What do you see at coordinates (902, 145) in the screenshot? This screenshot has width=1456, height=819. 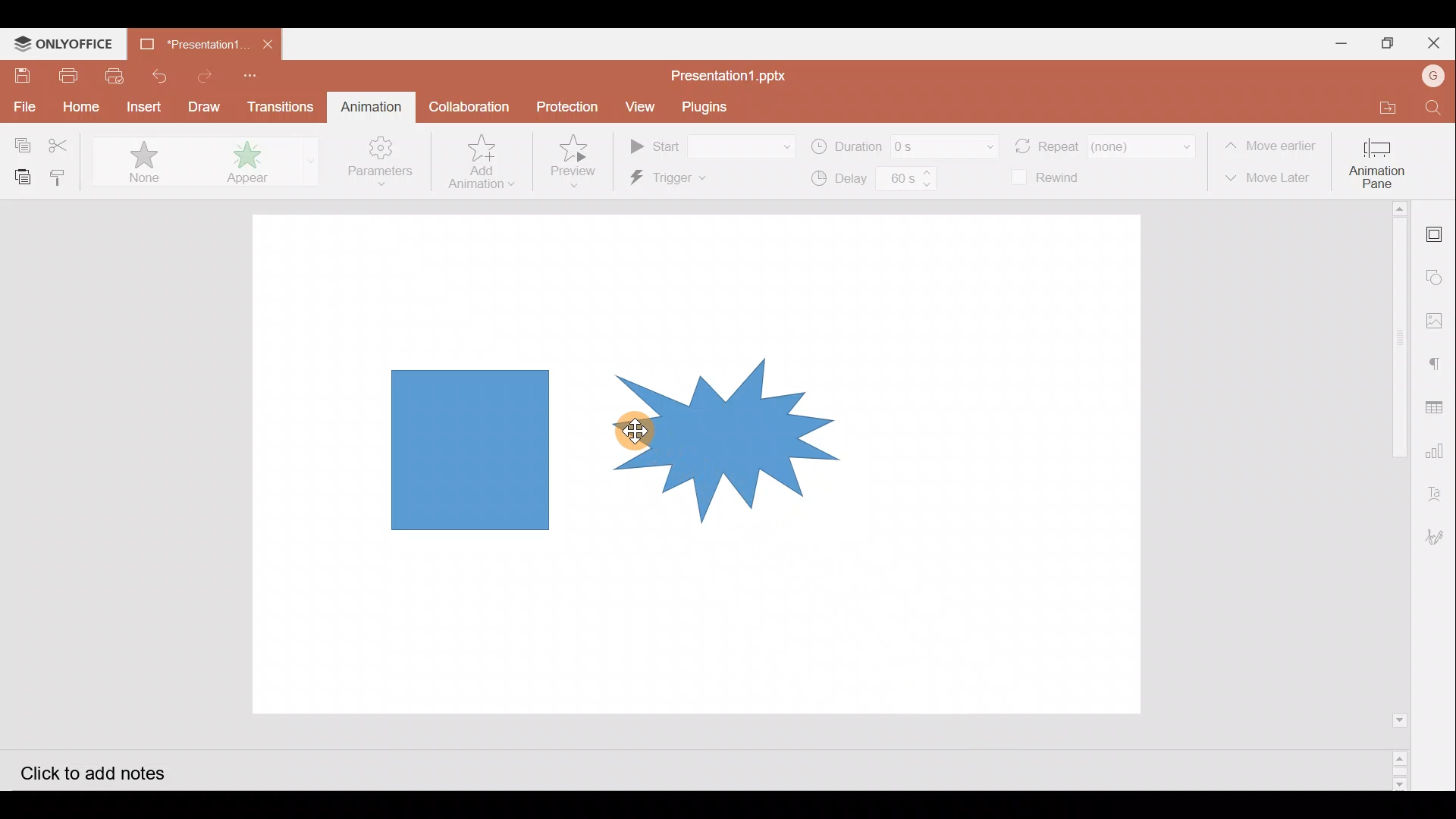 I see `Duration` at bounding box center [902, 145].